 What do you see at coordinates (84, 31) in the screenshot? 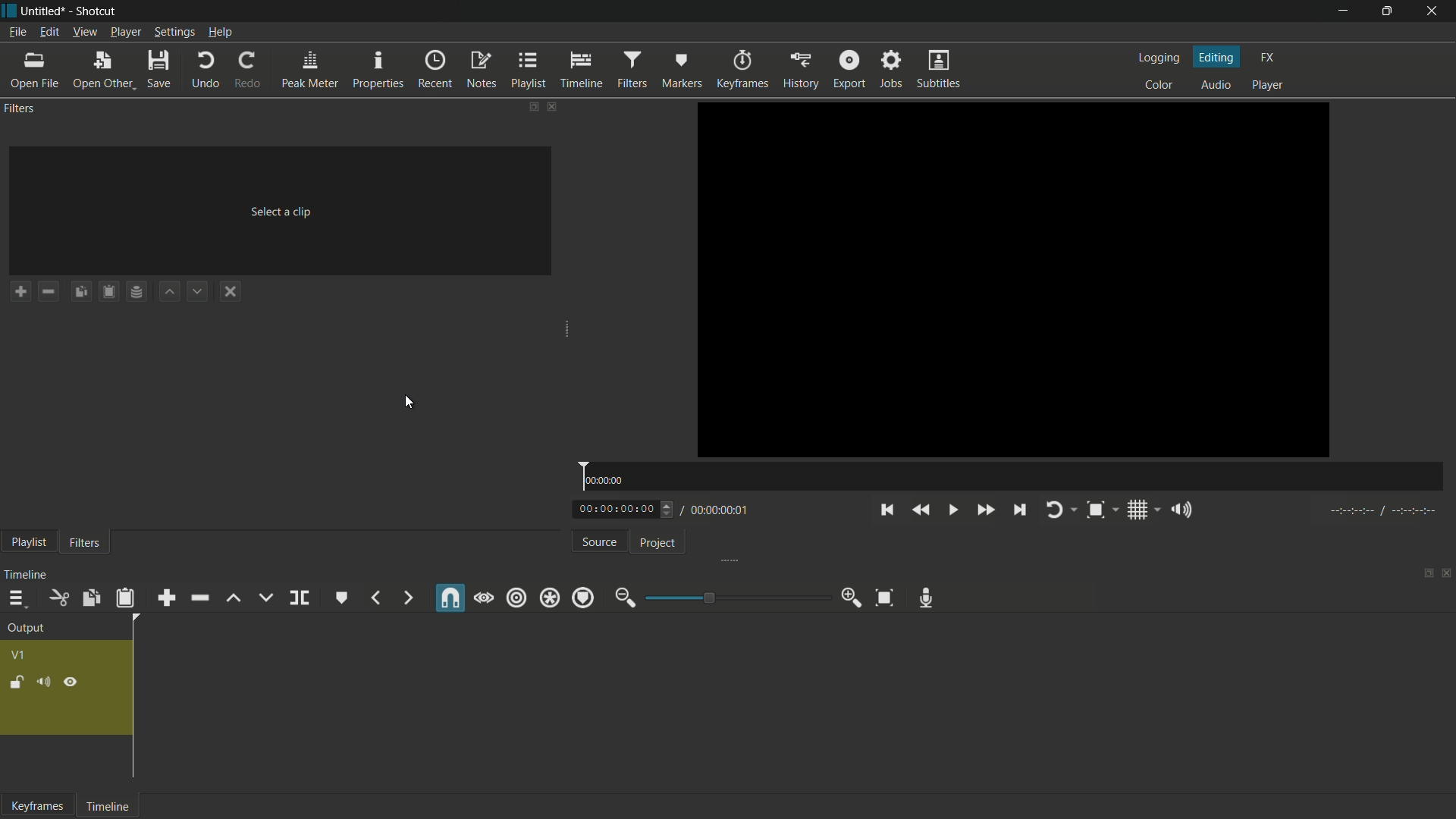
I see `view menu` at bounding box center [84, 31].